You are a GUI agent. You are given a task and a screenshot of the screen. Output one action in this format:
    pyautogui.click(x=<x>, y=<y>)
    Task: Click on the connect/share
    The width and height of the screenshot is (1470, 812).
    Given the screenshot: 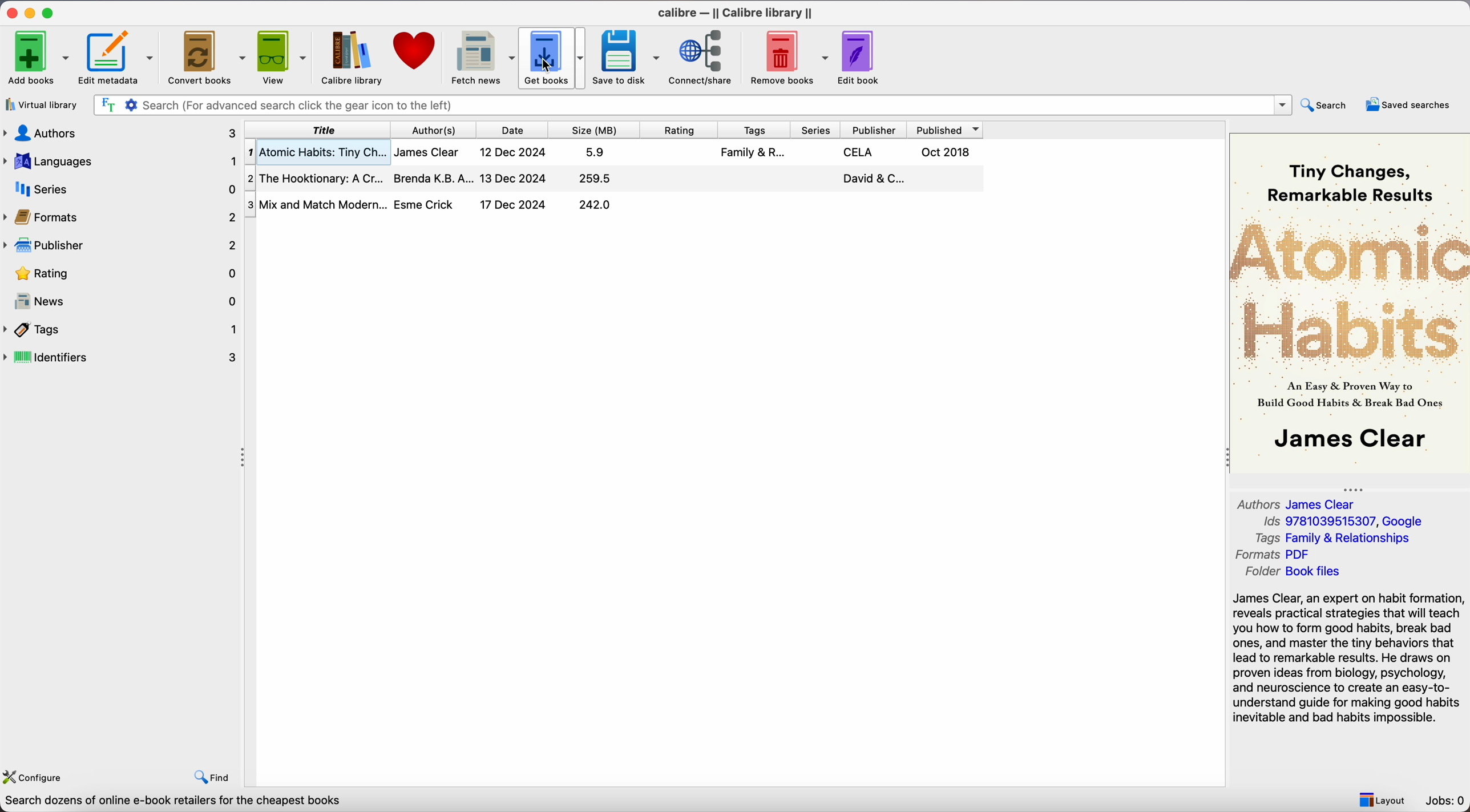 What is the action you would take?
    pyautogui.click(x=702, y=58)
    